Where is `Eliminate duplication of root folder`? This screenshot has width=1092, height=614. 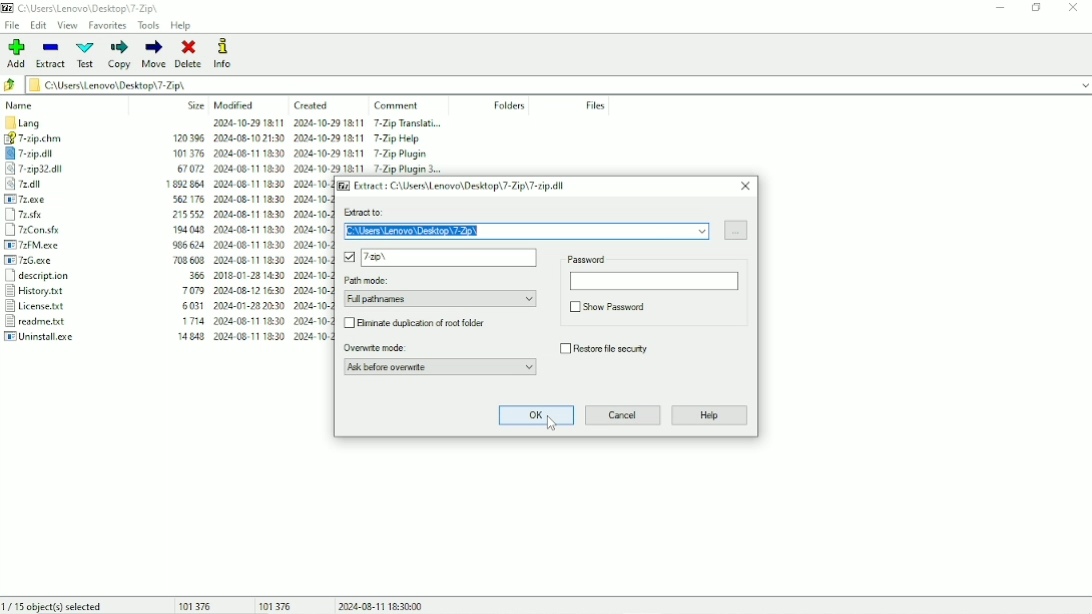 Eliminate duplication of root folder is located at coordinates (418, 323).